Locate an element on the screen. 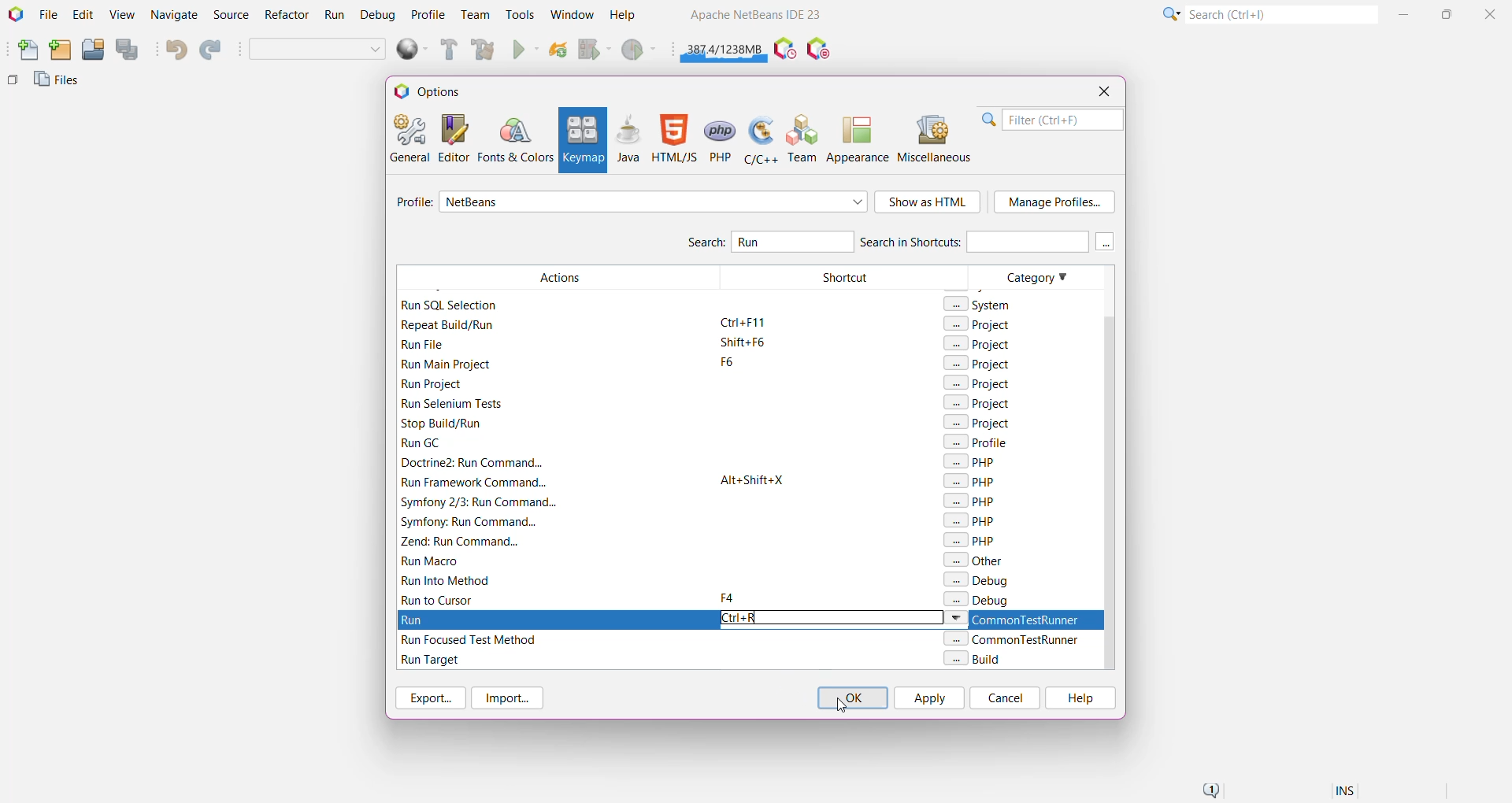 The height and width of the screenshot is (803, 1512).  is located at coordinates (412, 50).